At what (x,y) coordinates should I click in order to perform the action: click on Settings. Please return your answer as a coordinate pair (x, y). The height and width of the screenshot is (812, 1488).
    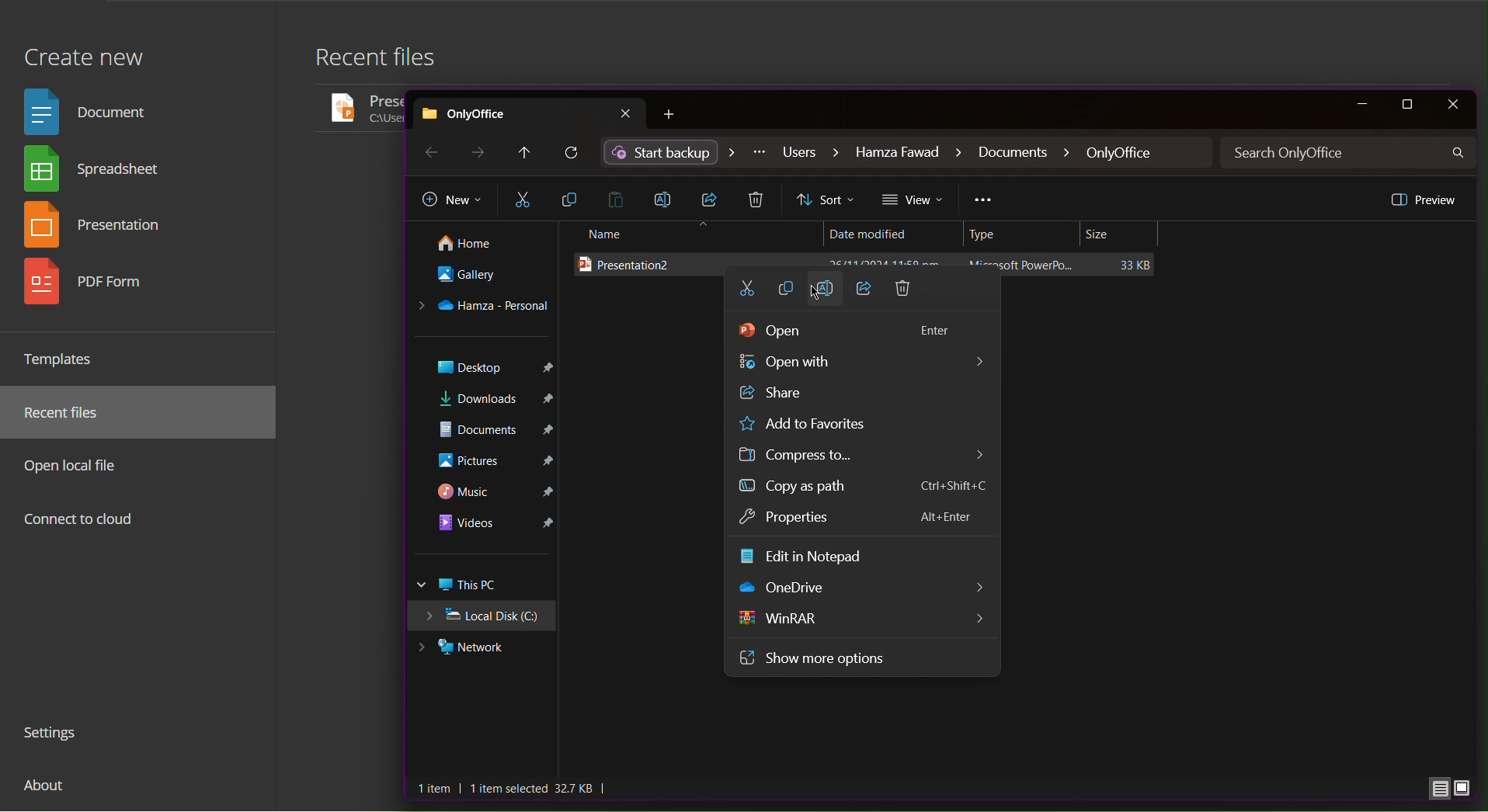
    Looking at the image, I should click on (57, 735).